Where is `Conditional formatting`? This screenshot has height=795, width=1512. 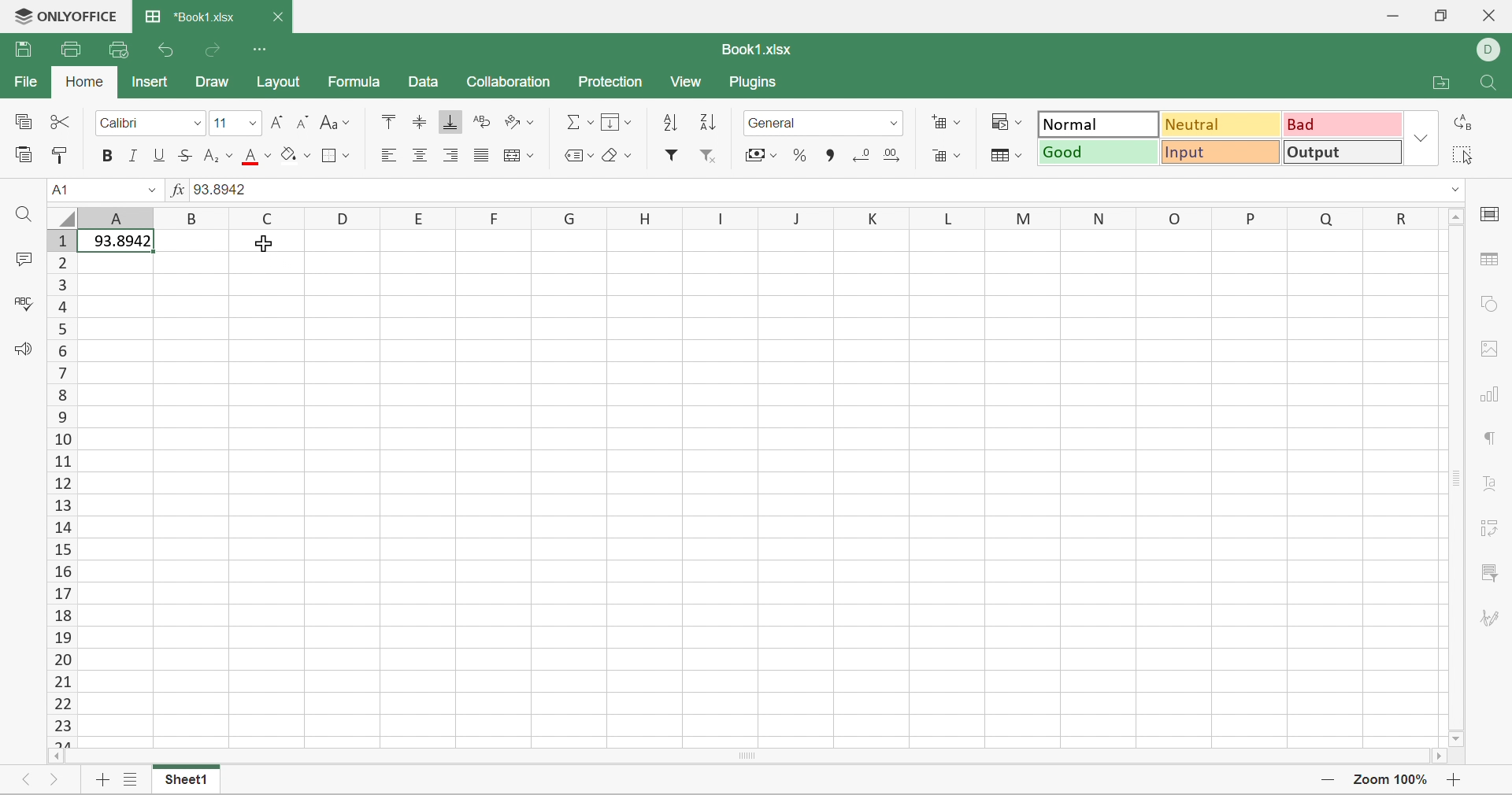
Conditional formatting is located at coordinates (1007, 121).